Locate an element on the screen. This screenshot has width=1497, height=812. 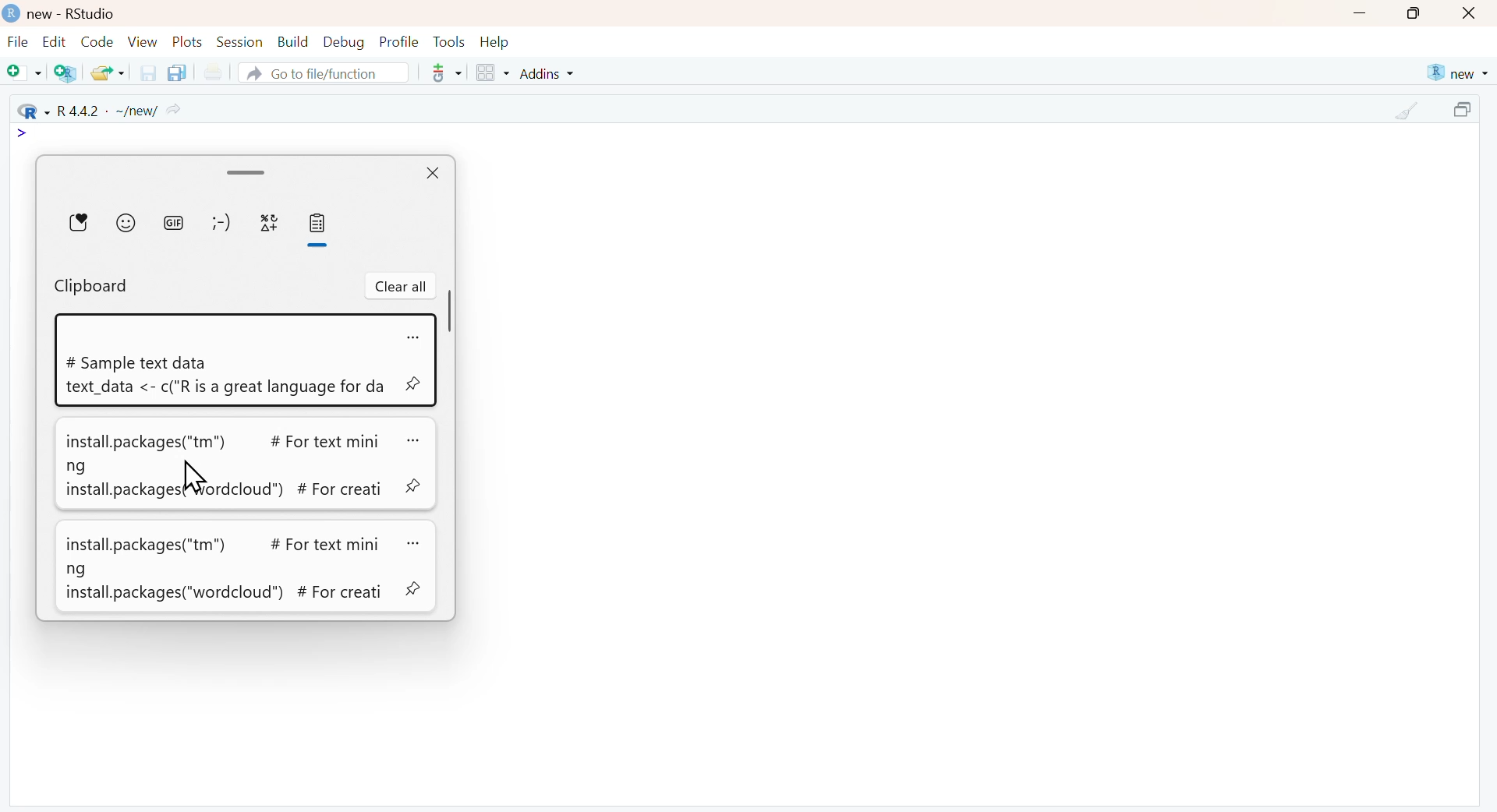
Code is located at coordinates (97, 41).